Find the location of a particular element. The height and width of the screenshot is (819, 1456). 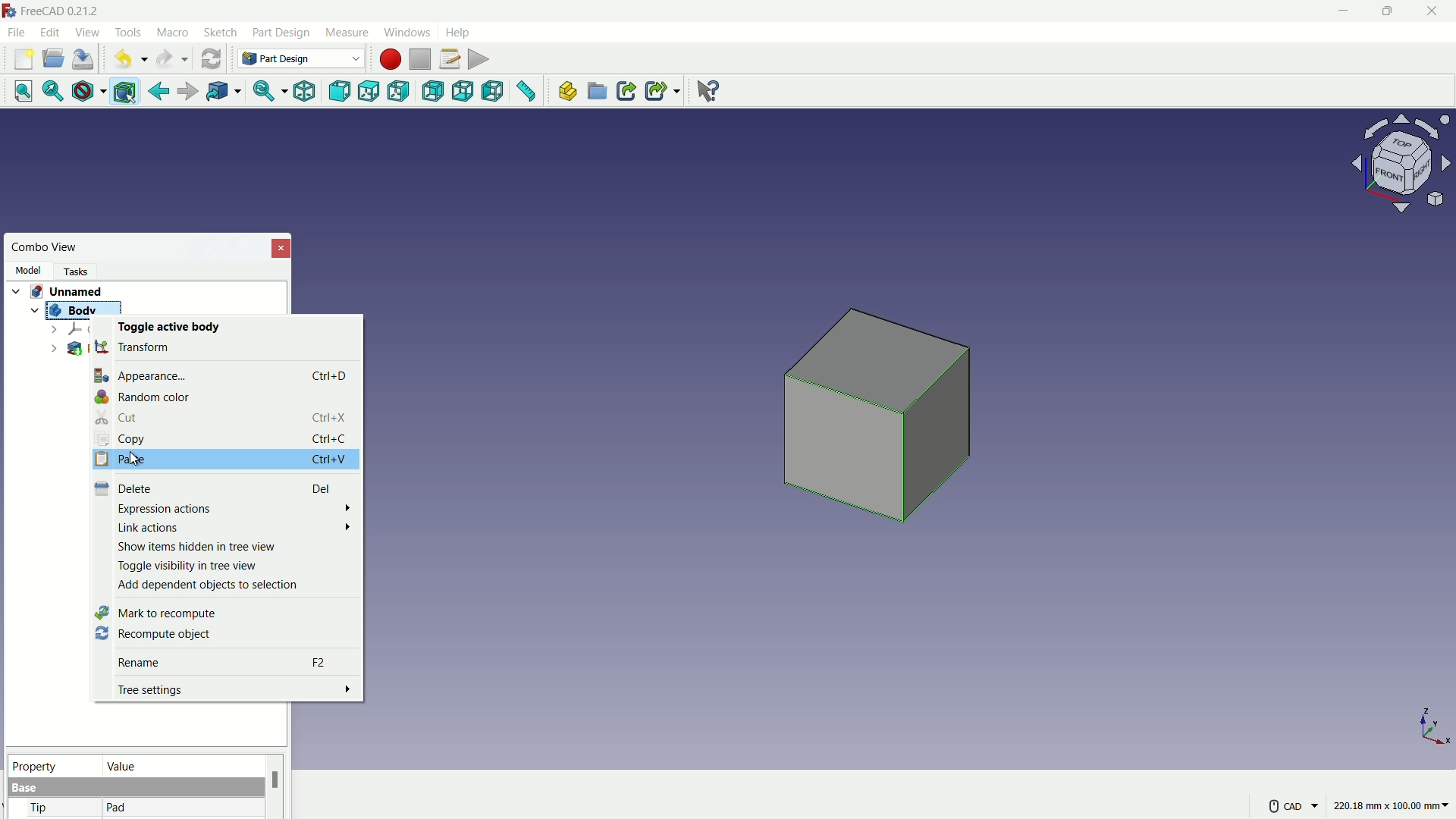

view is located at coordinates (86, 32).